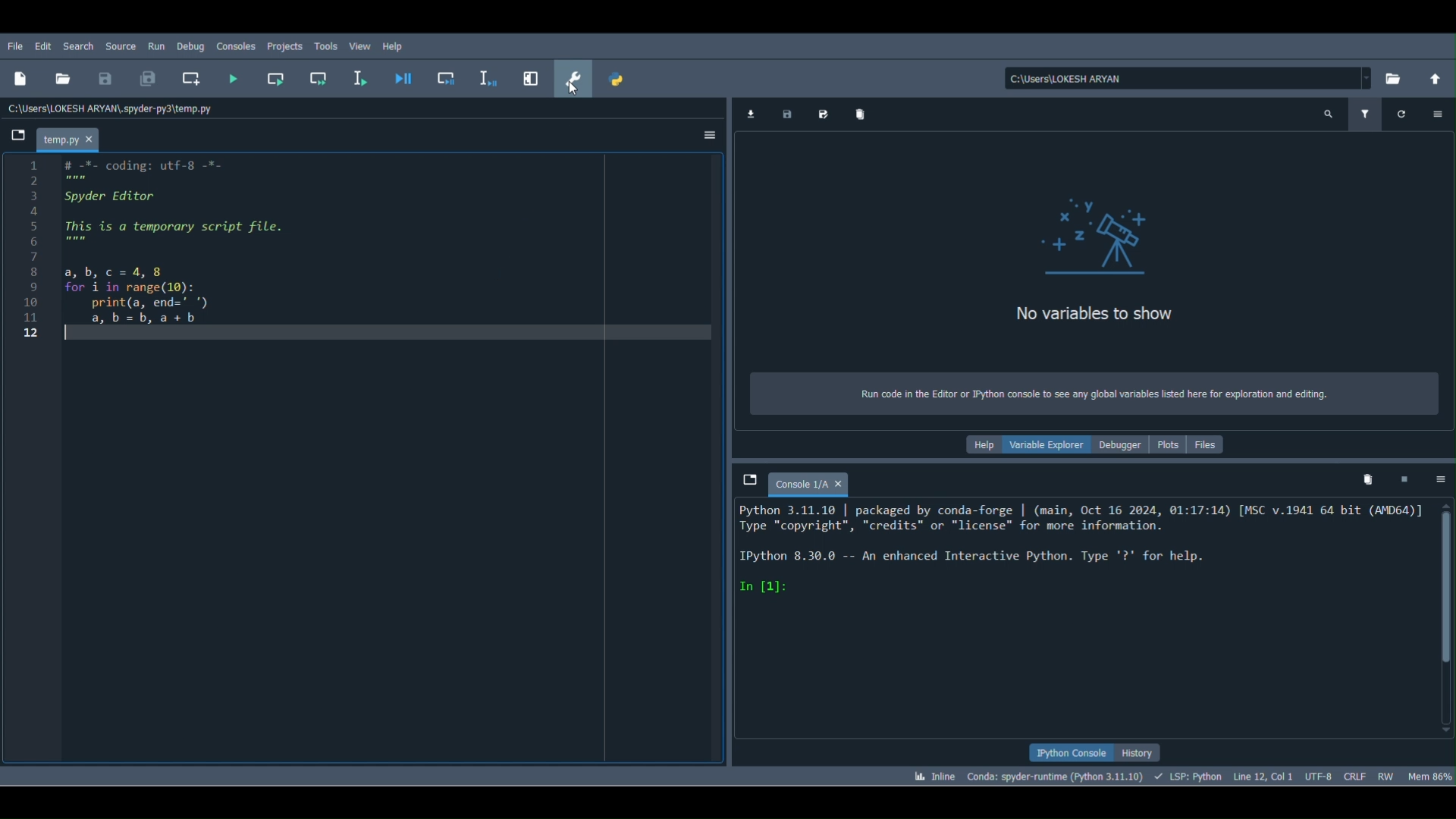  What do you see at coordinates (318, 77) in the screenshot?
I see `Run current cell and go to the next one (Shift + Return)` at bounding box center [318, 77].